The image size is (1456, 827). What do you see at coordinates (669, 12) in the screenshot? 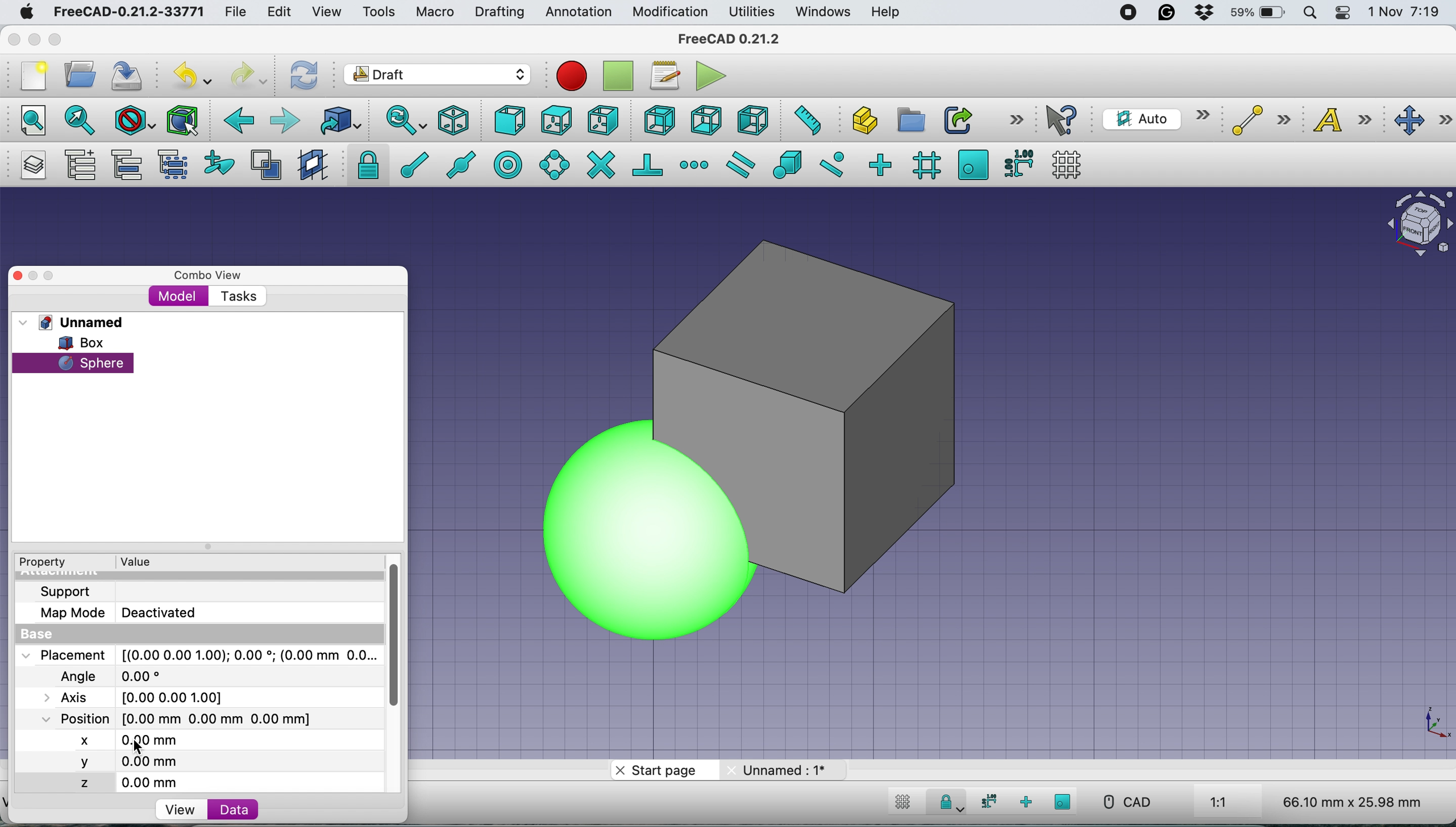
I see `modification` at bounding box center [669, 12].